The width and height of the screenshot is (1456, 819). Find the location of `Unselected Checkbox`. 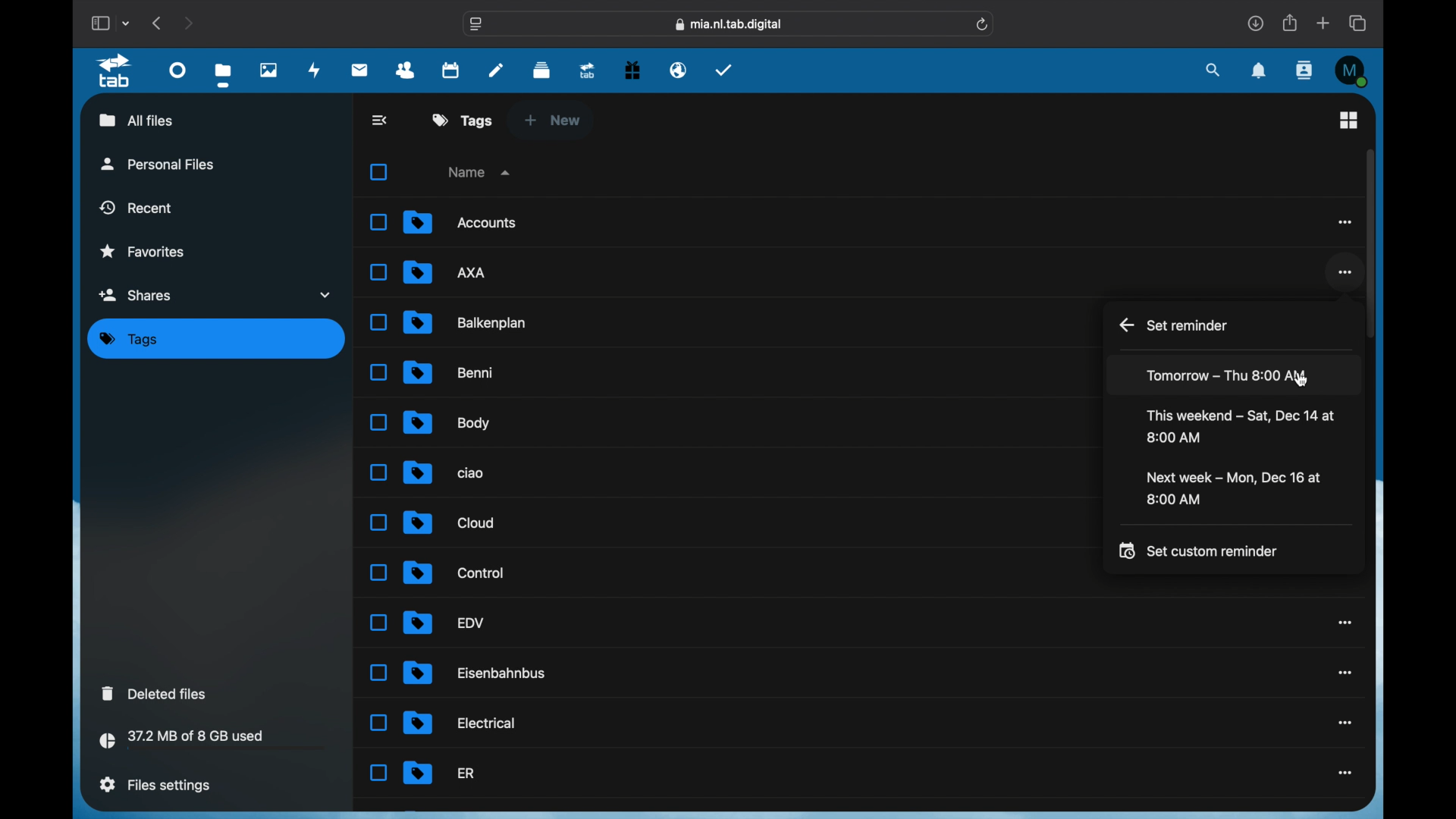

Unselected Checkbox is located at coordinates (381, 372).